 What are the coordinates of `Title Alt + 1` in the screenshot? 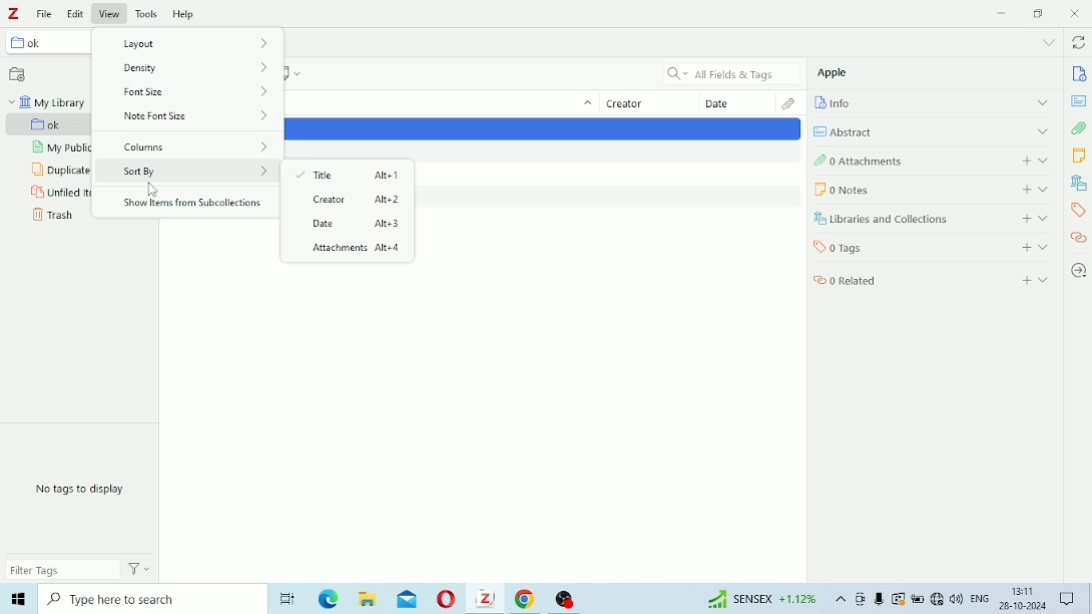 It's located at (351, 174).